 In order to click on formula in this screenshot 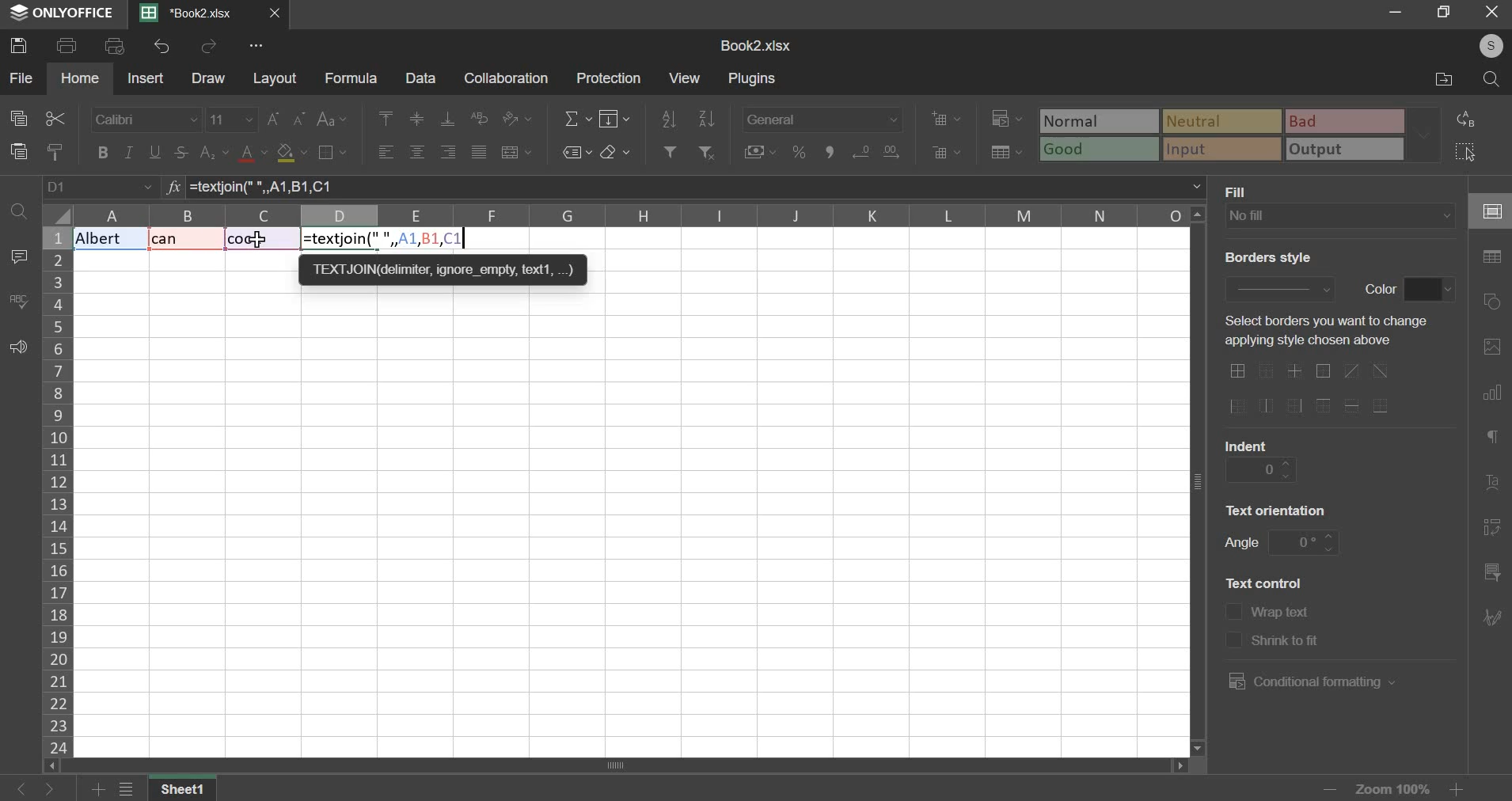, I will do `click(351, 79)`.